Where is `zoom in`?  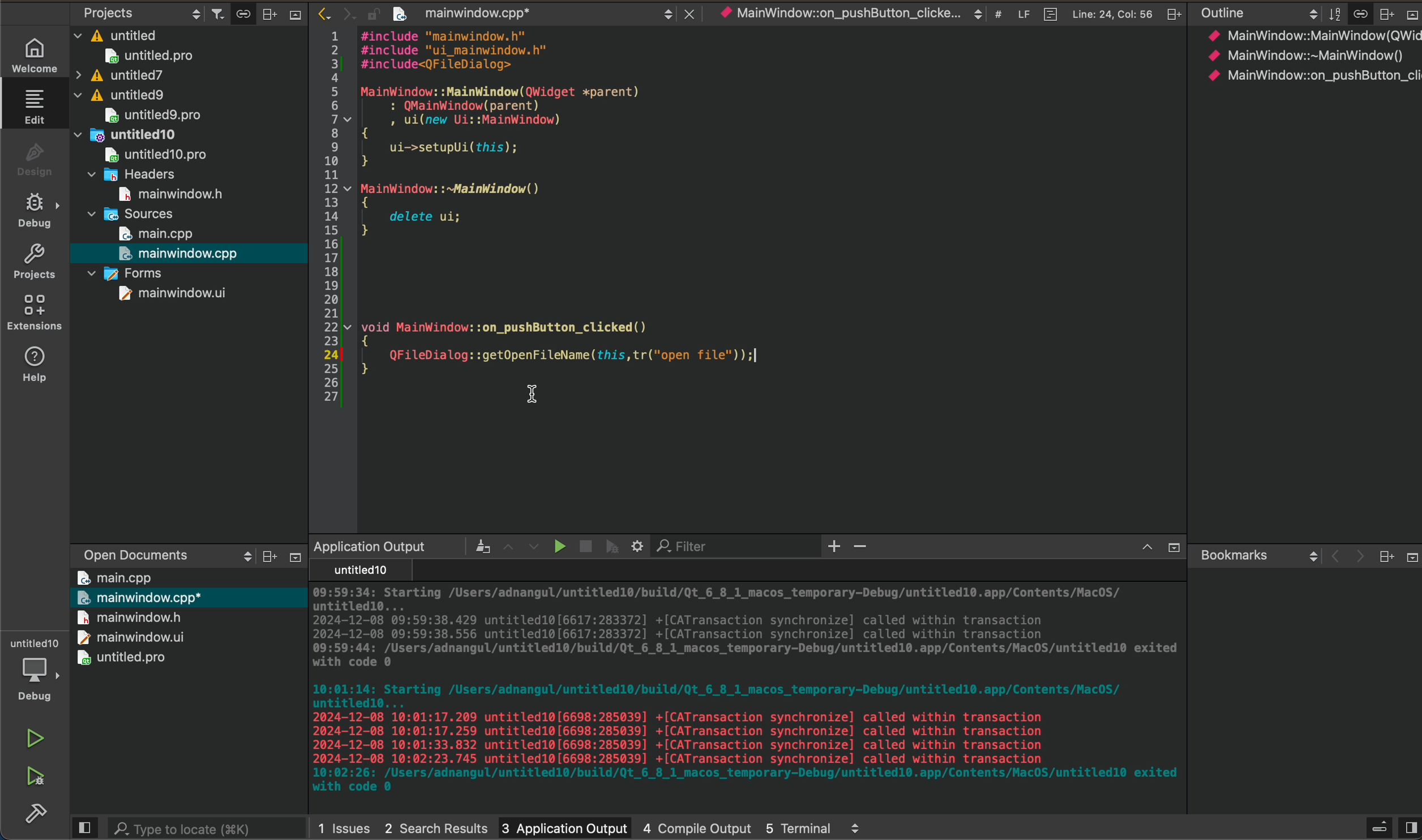 zoom in is located at coordinates (835, 547).